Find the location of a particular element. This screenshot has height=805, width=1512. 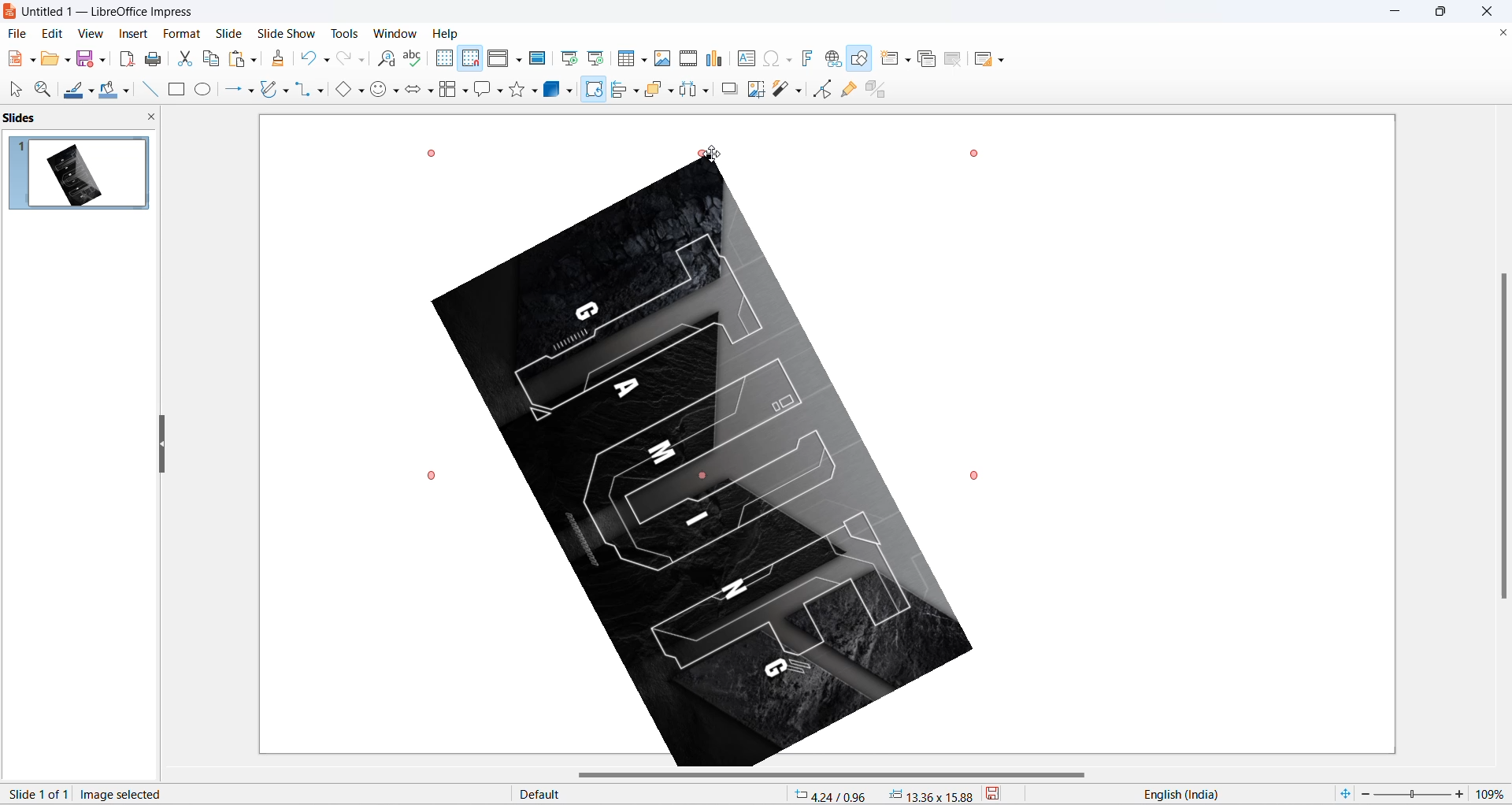

undo is located at coordinates (309, 57).